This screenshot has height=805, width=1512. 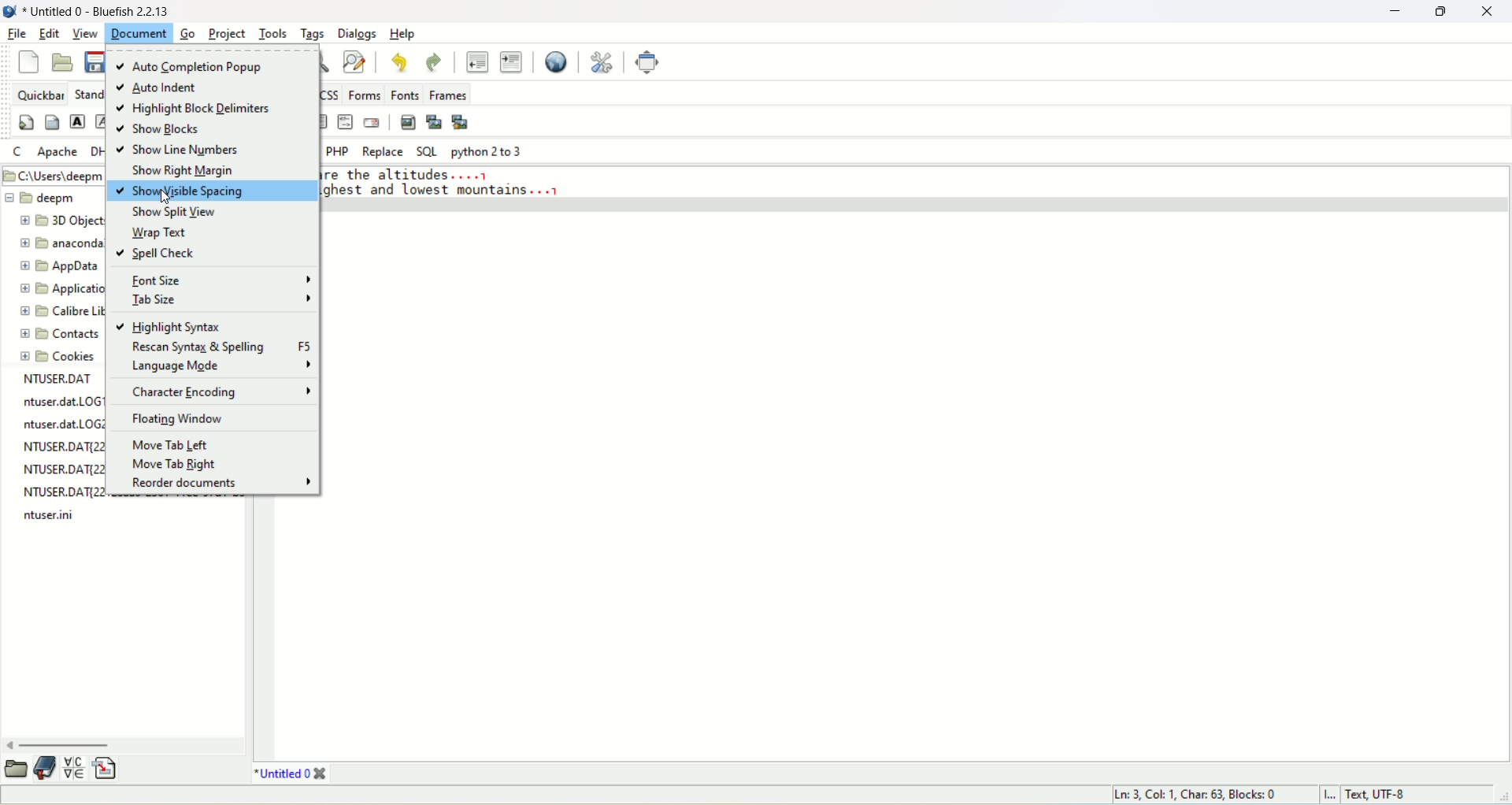 I want to click on maximize, so click(x=1436, y=13).